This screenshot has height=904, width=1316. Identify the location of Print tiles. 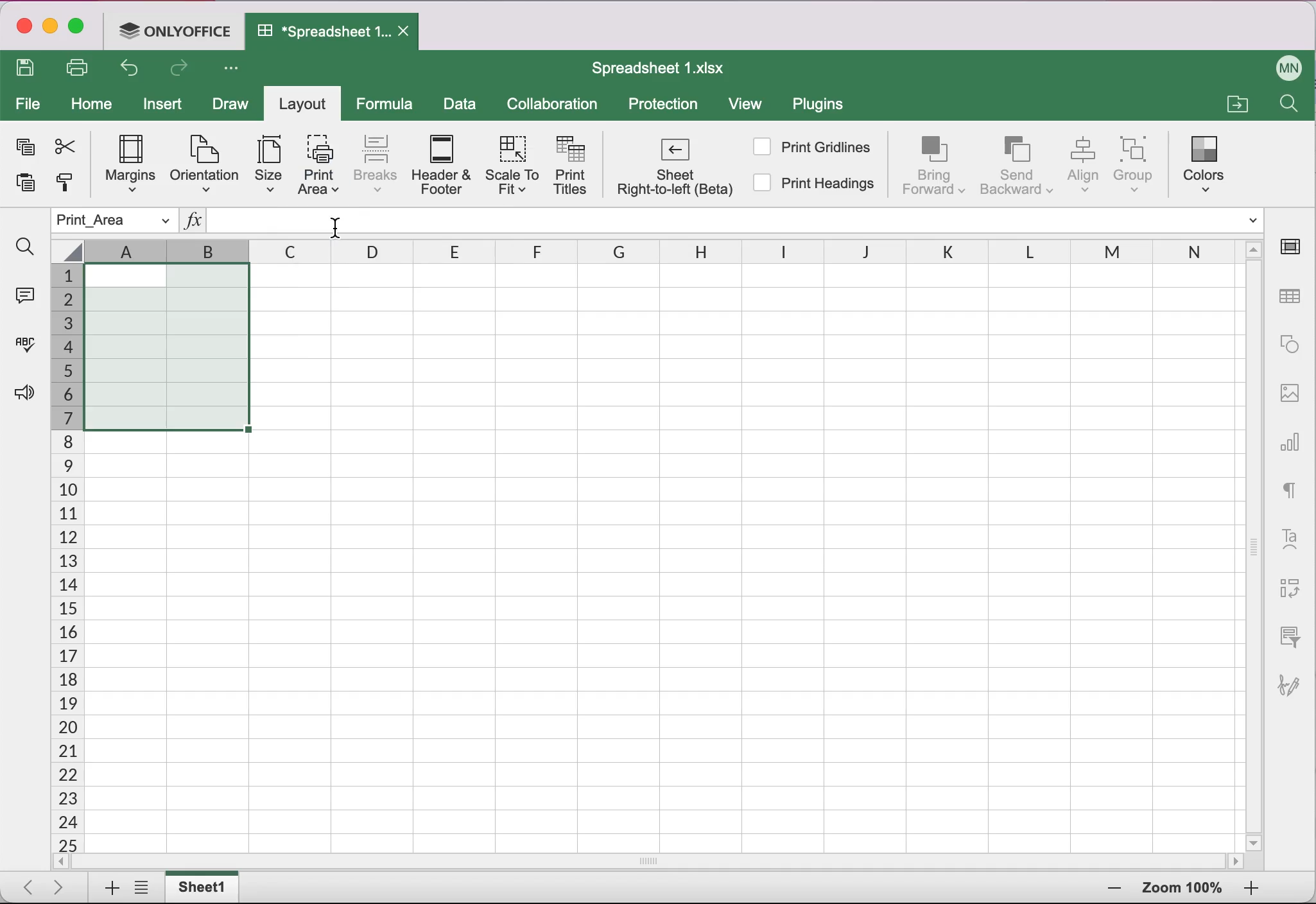
(576, 168).